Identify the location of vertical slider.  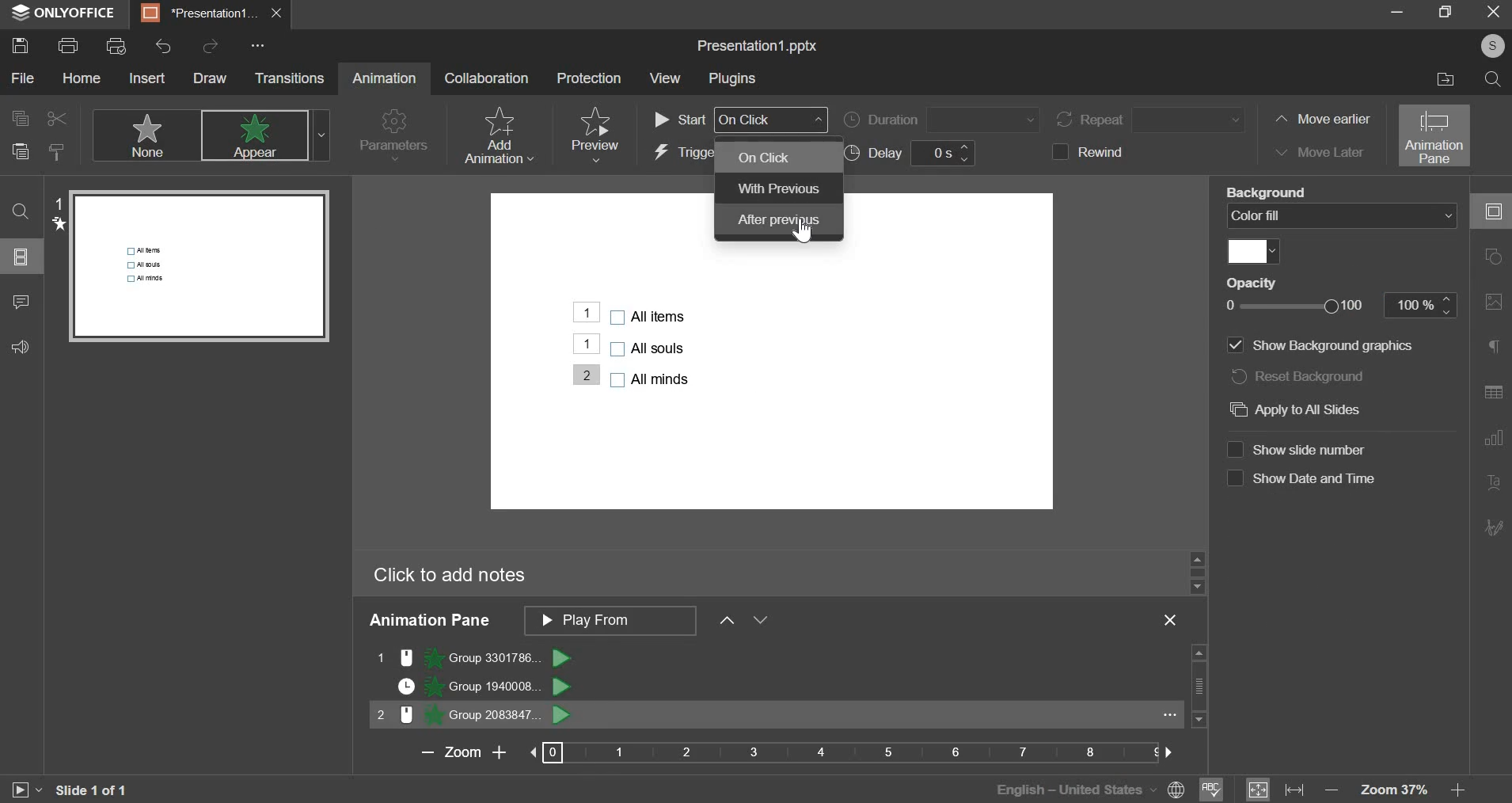
(1199, 684).